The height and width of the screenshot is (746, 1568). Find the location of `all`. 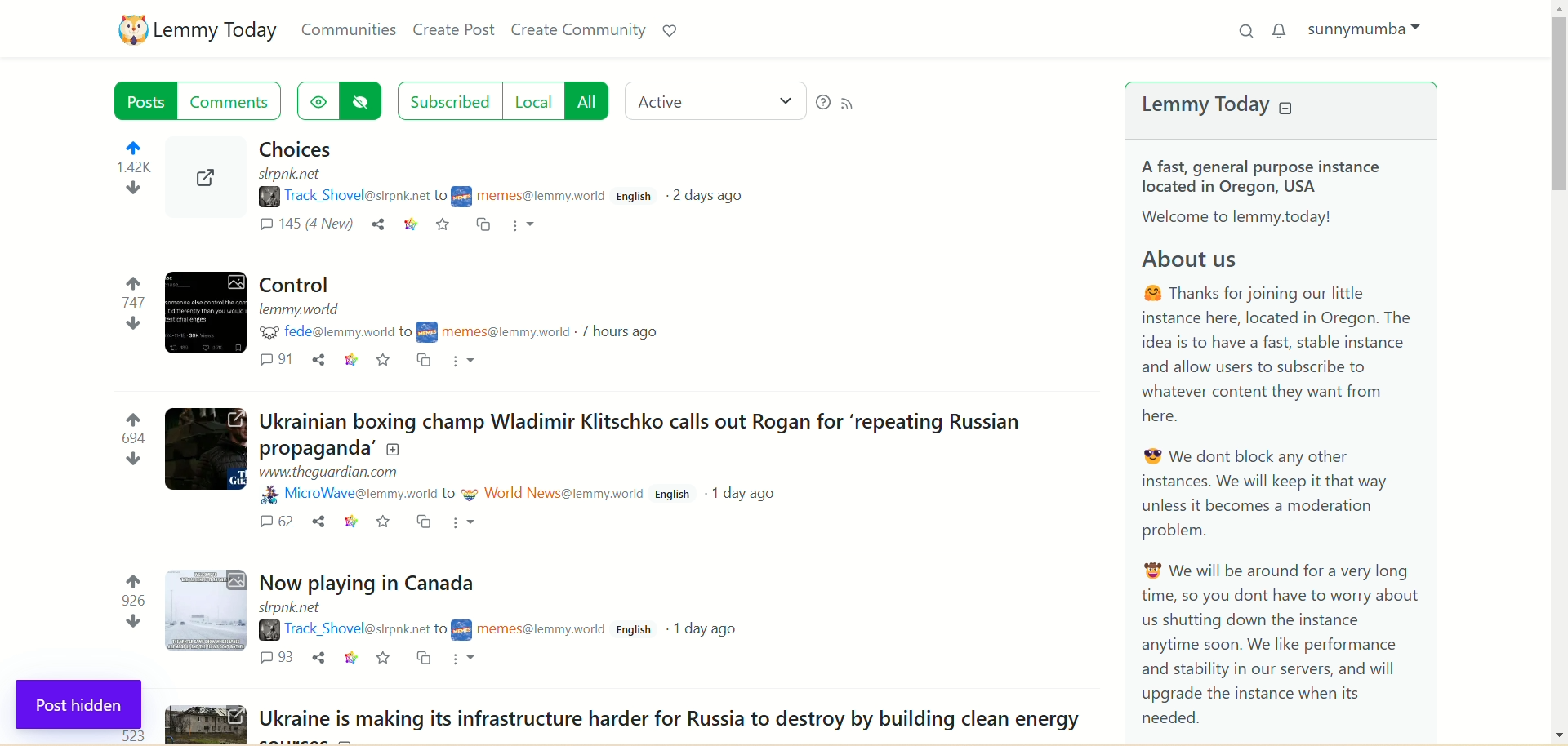

all is located at coordinates (586, 100).